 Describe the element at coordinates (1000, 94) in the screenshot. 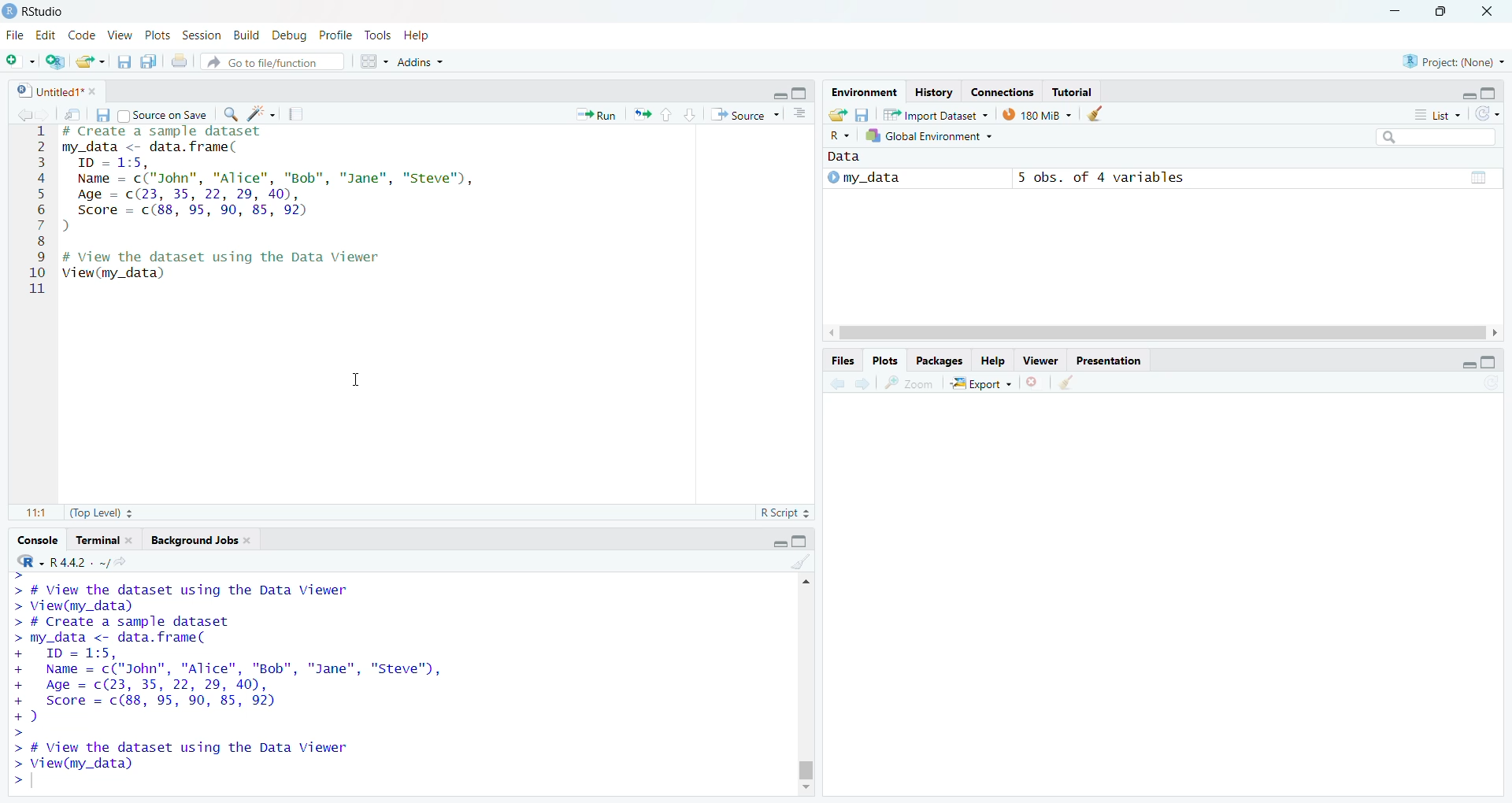

I see `Connection` at that location.